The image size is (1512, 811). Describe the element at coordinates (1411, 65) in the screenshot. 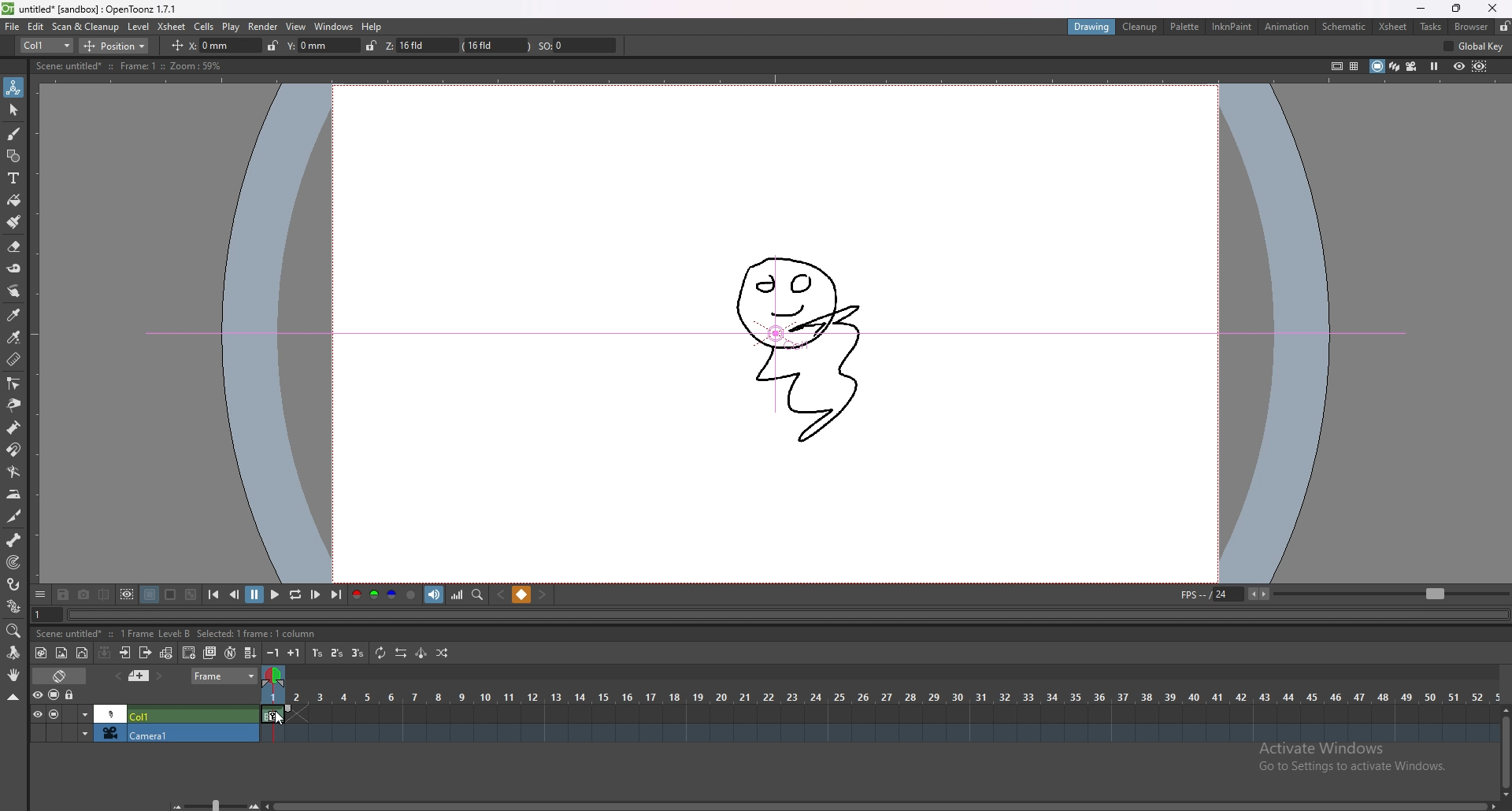

I see `camera view` at that location.